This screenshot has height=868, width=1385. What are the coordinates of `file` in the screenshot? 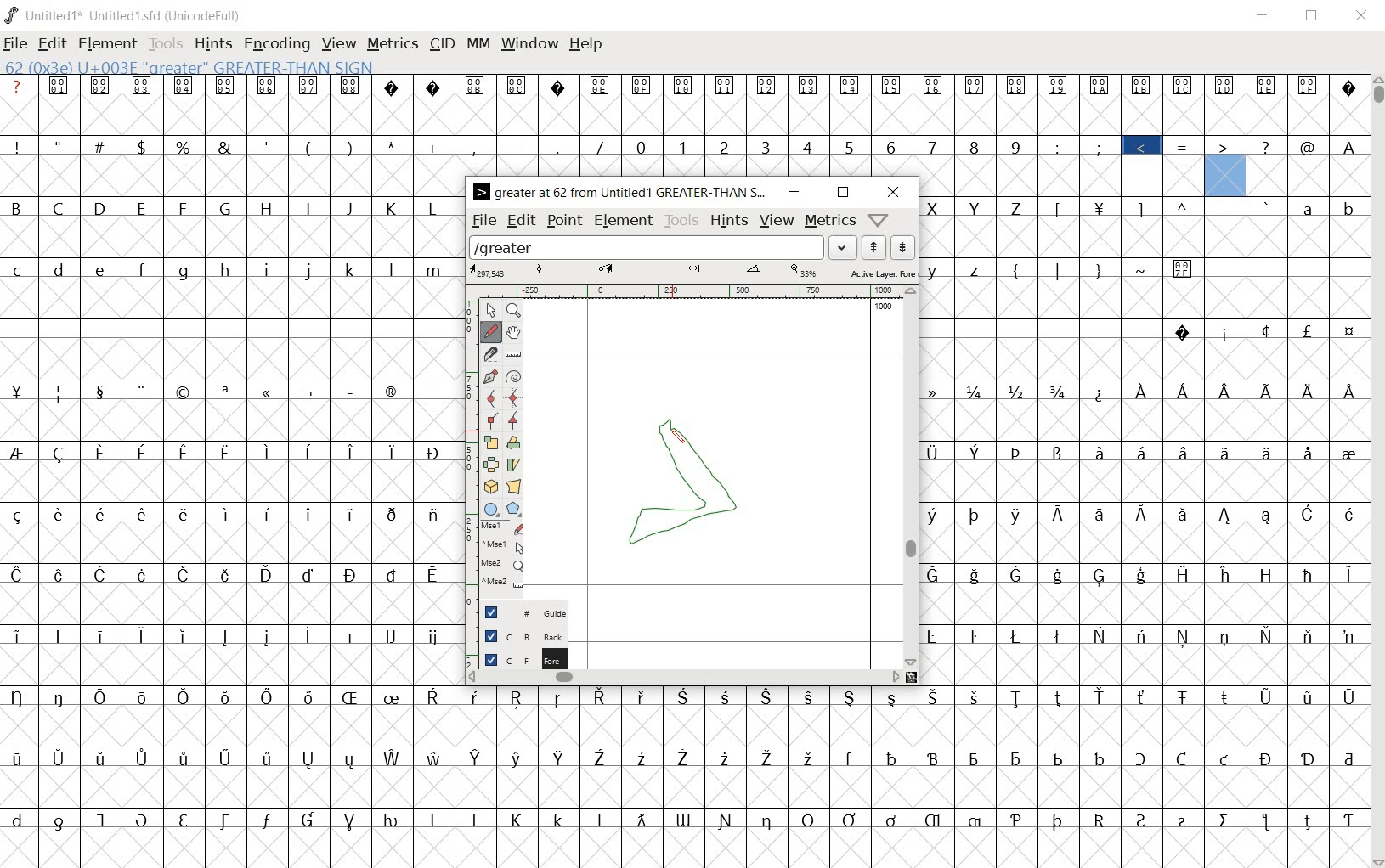 It's located at (483, 221).